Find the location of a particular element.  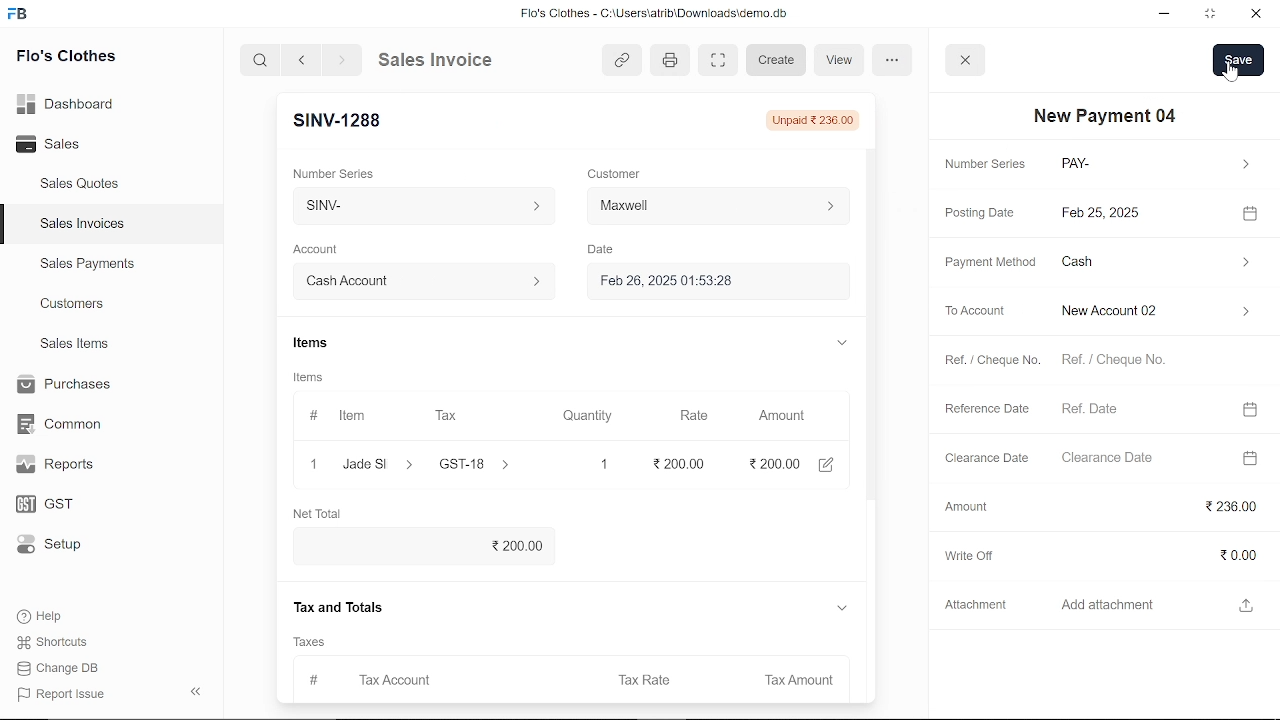

Sales Invoice is located at coordinates (450, 59).